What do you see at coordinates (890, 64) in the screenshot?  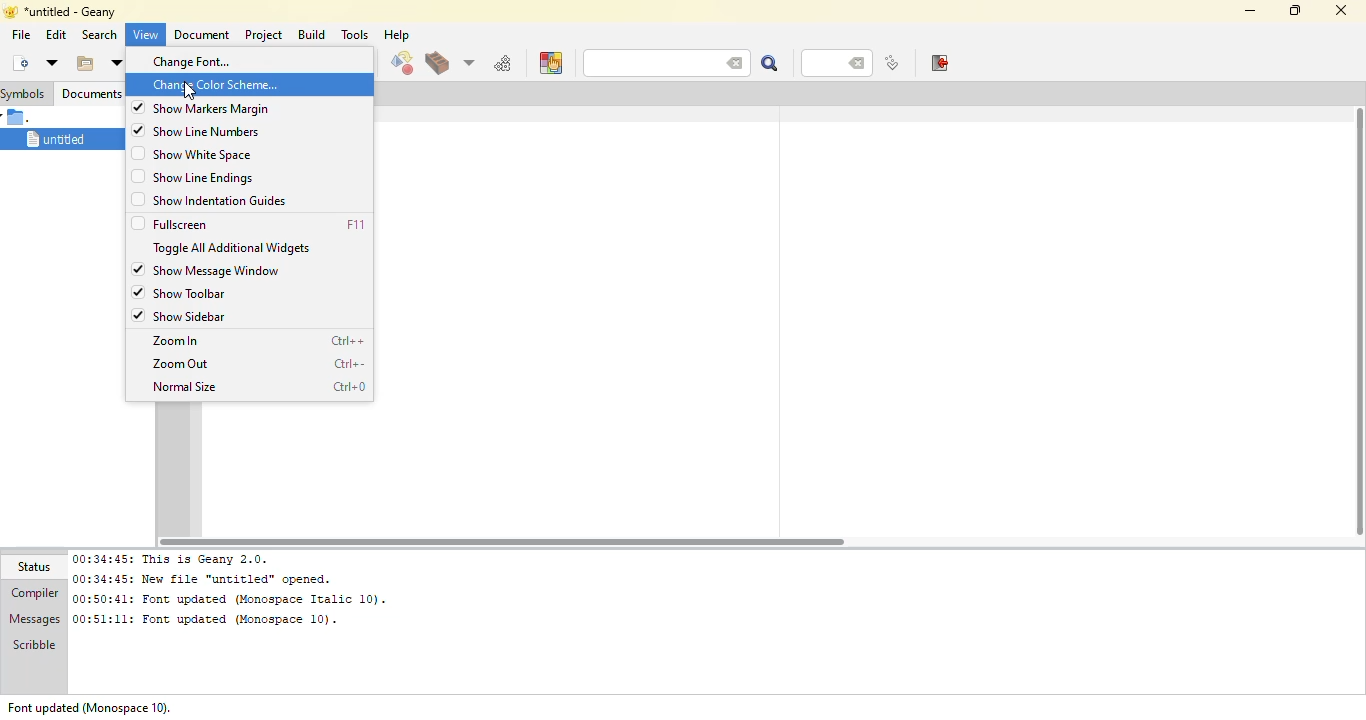 I see `jump to line` at bounding box center [890, 64].